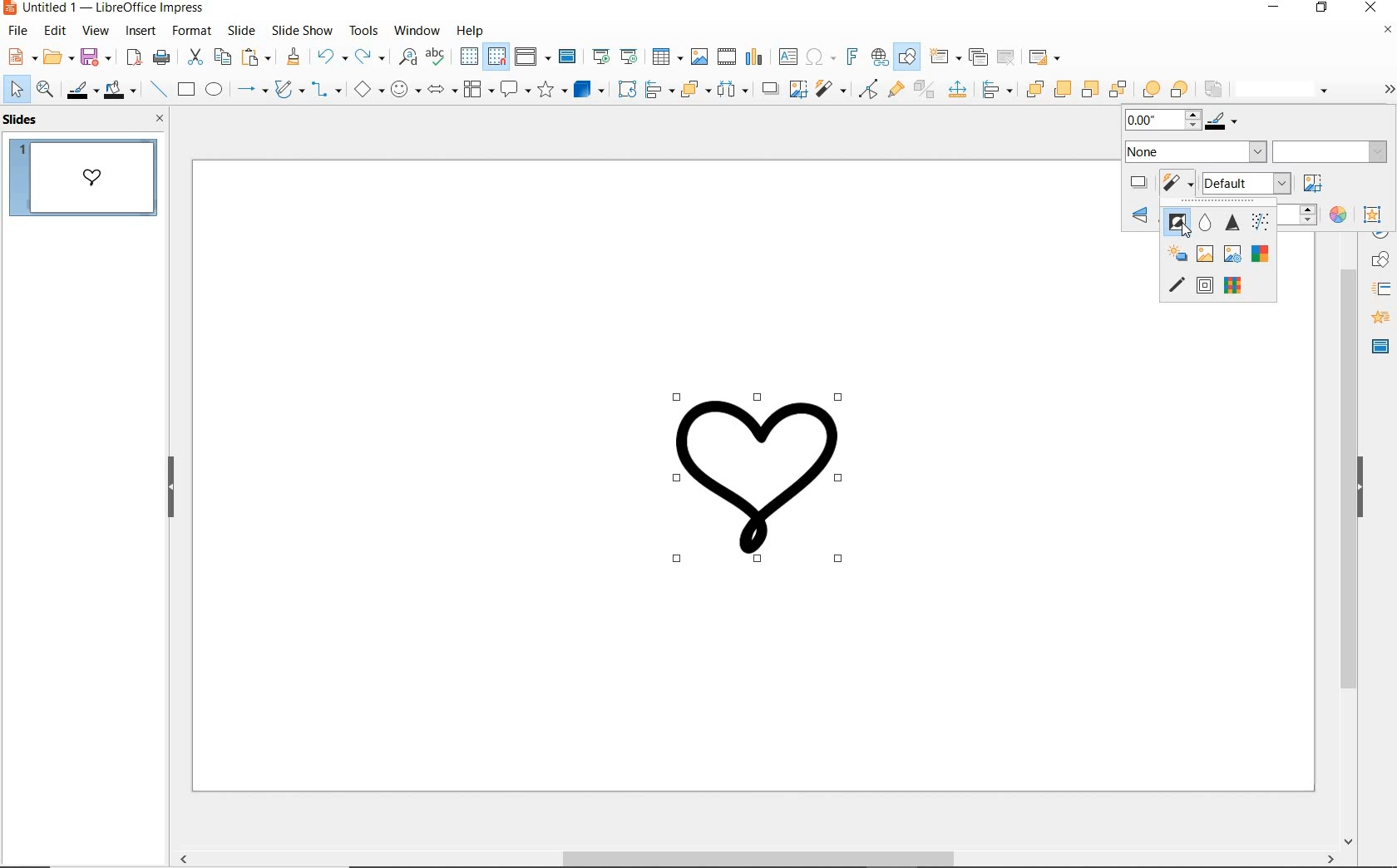  What do you see at coordinates (187, 90) in the screenshot?
I see `rectangle` at bounding box center [187, 90].